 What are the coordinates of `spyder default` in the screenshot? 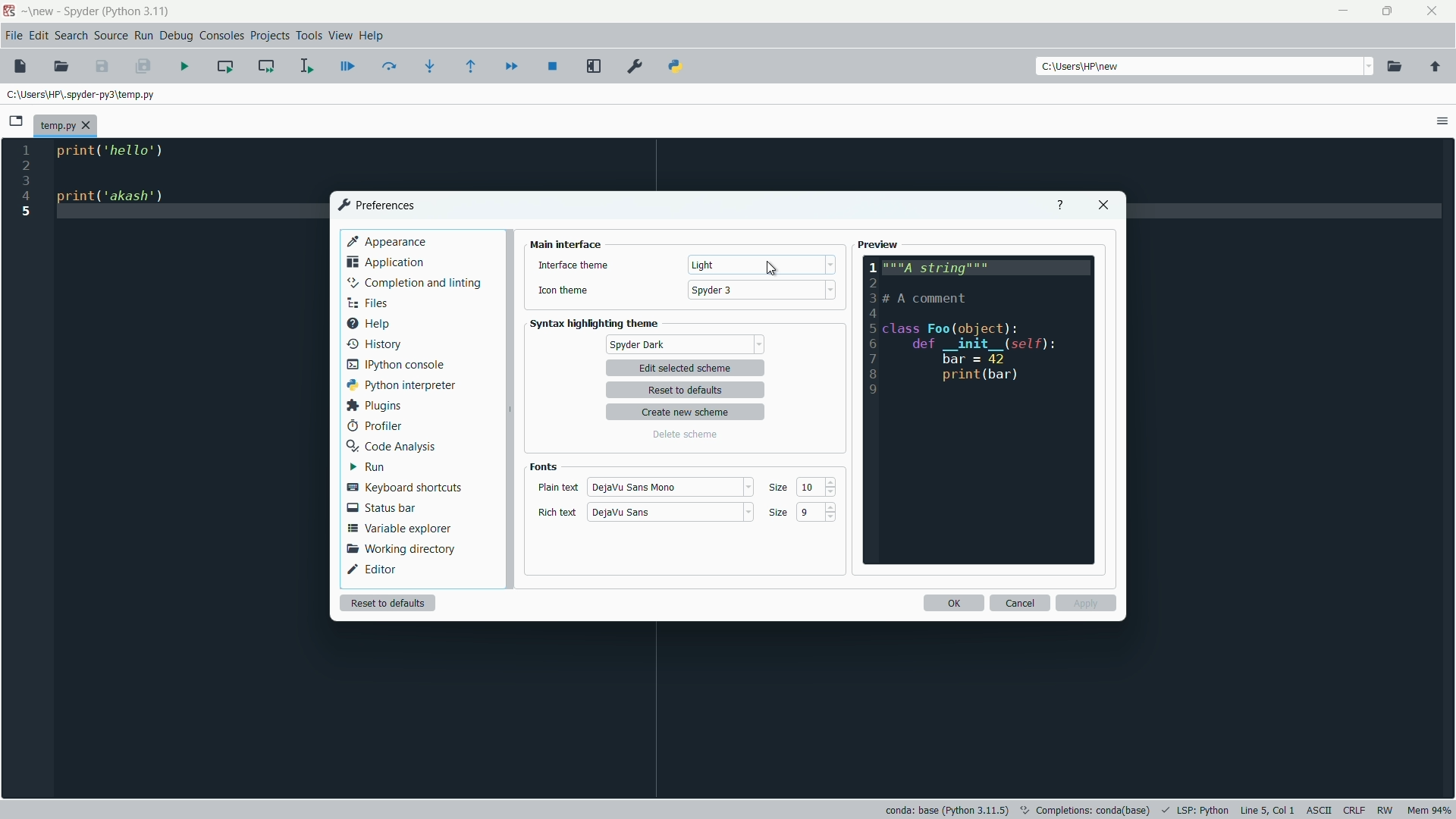 It's located at (685, 344).